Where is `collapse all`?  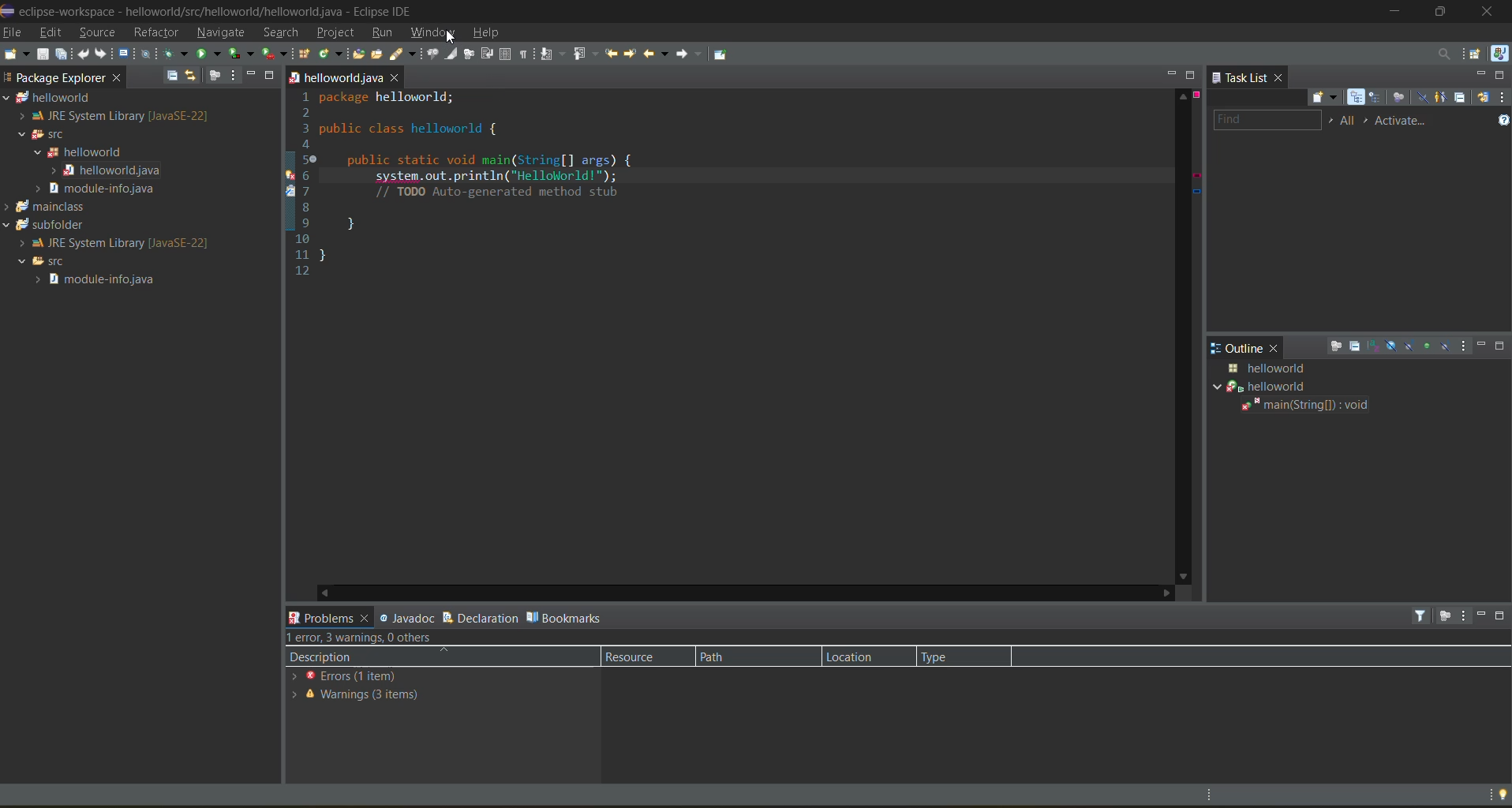 collapse all is located at coordinates (172, 77).